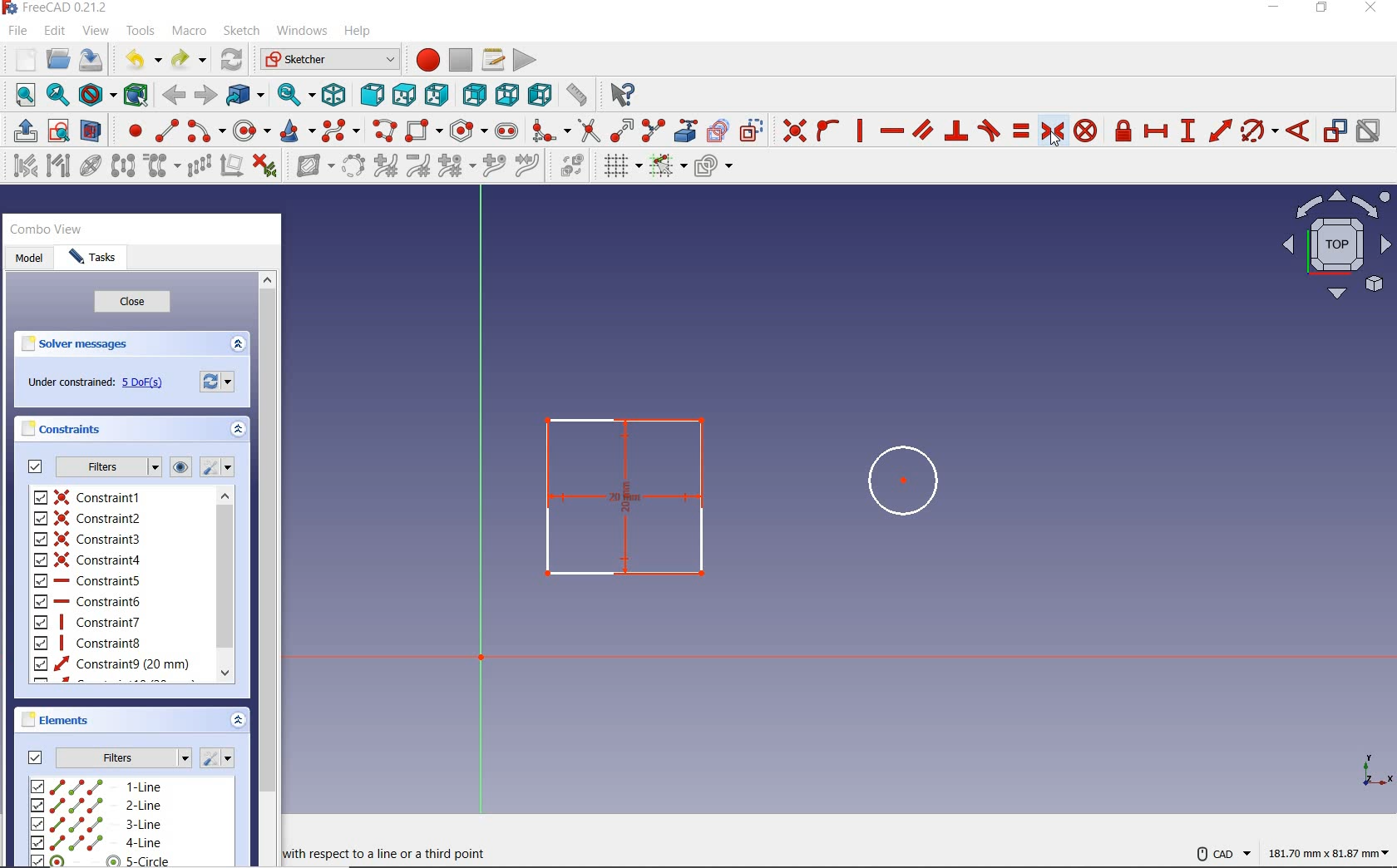 The image size is (1397, 868). I want to click on constrain tangent, so click(989, 131).